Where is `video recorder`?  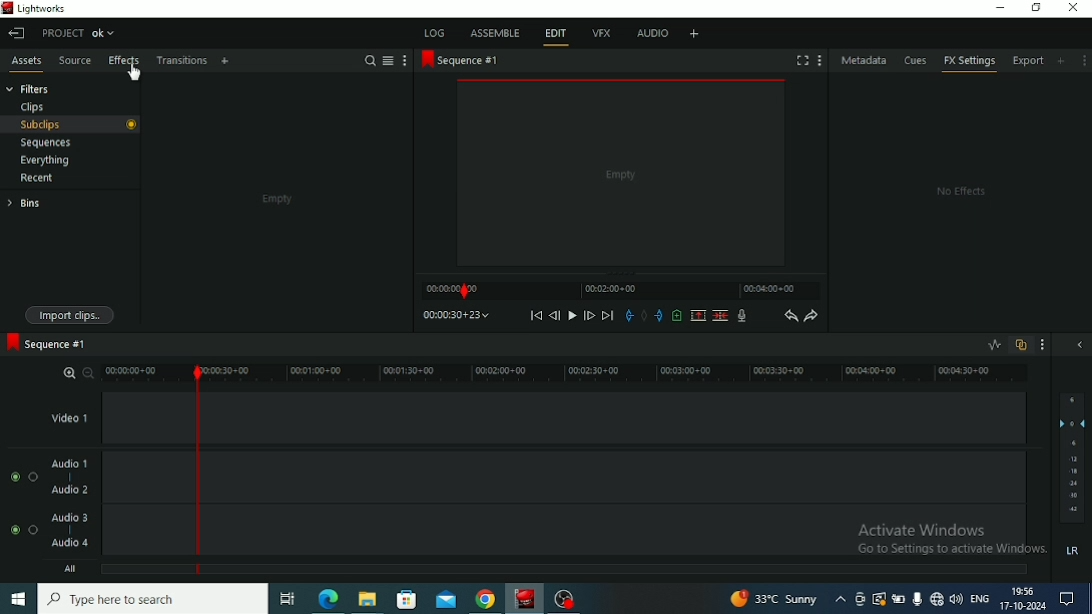 video recorder is located at coordinates (862, 599).